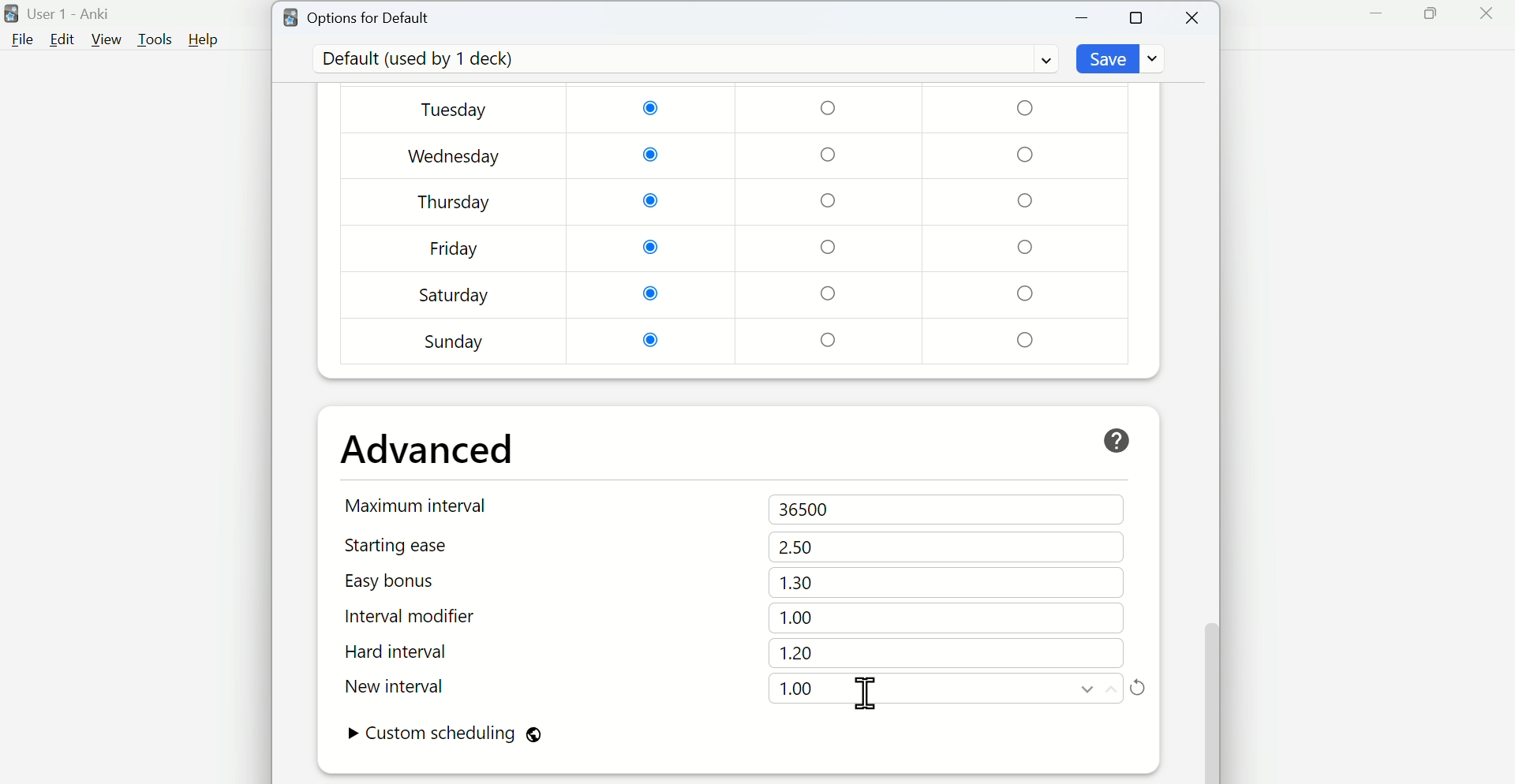  Describe the element at coordinates (420, 505) in the screenshot. I see `Maximum interval` at that location.